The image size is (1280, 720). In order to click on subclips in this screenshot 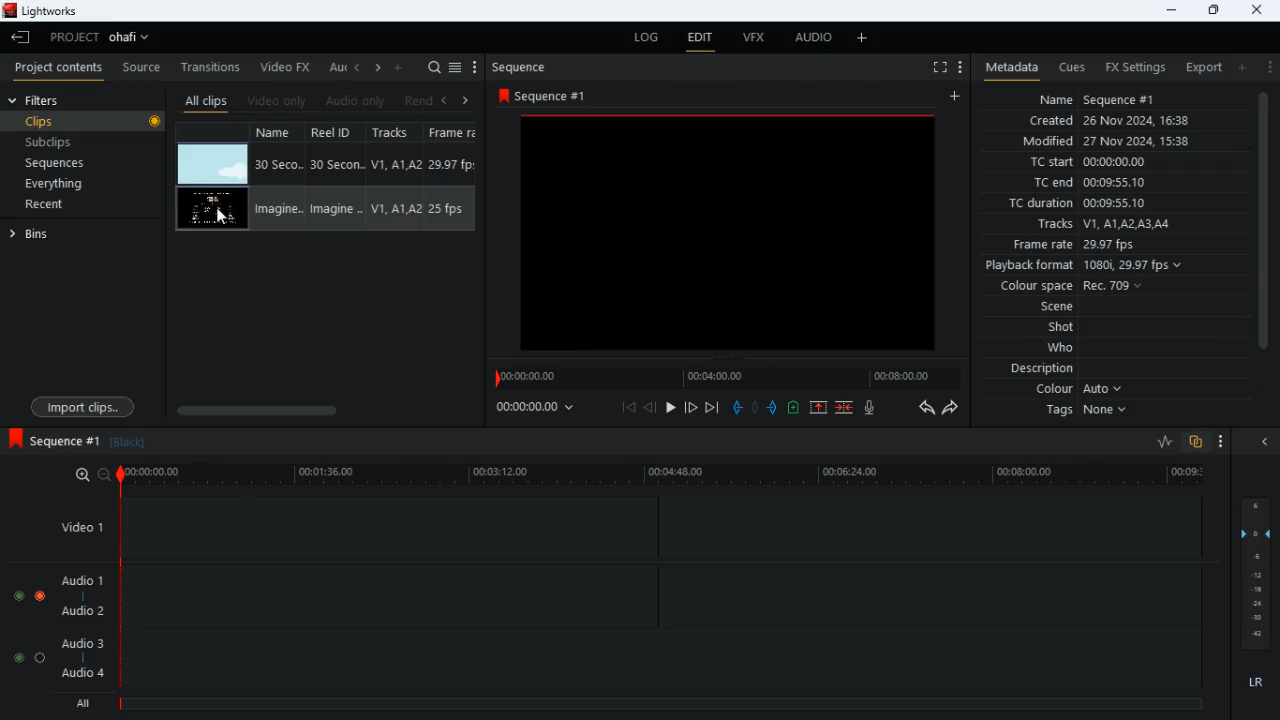, I will do `click(61, 143)`.